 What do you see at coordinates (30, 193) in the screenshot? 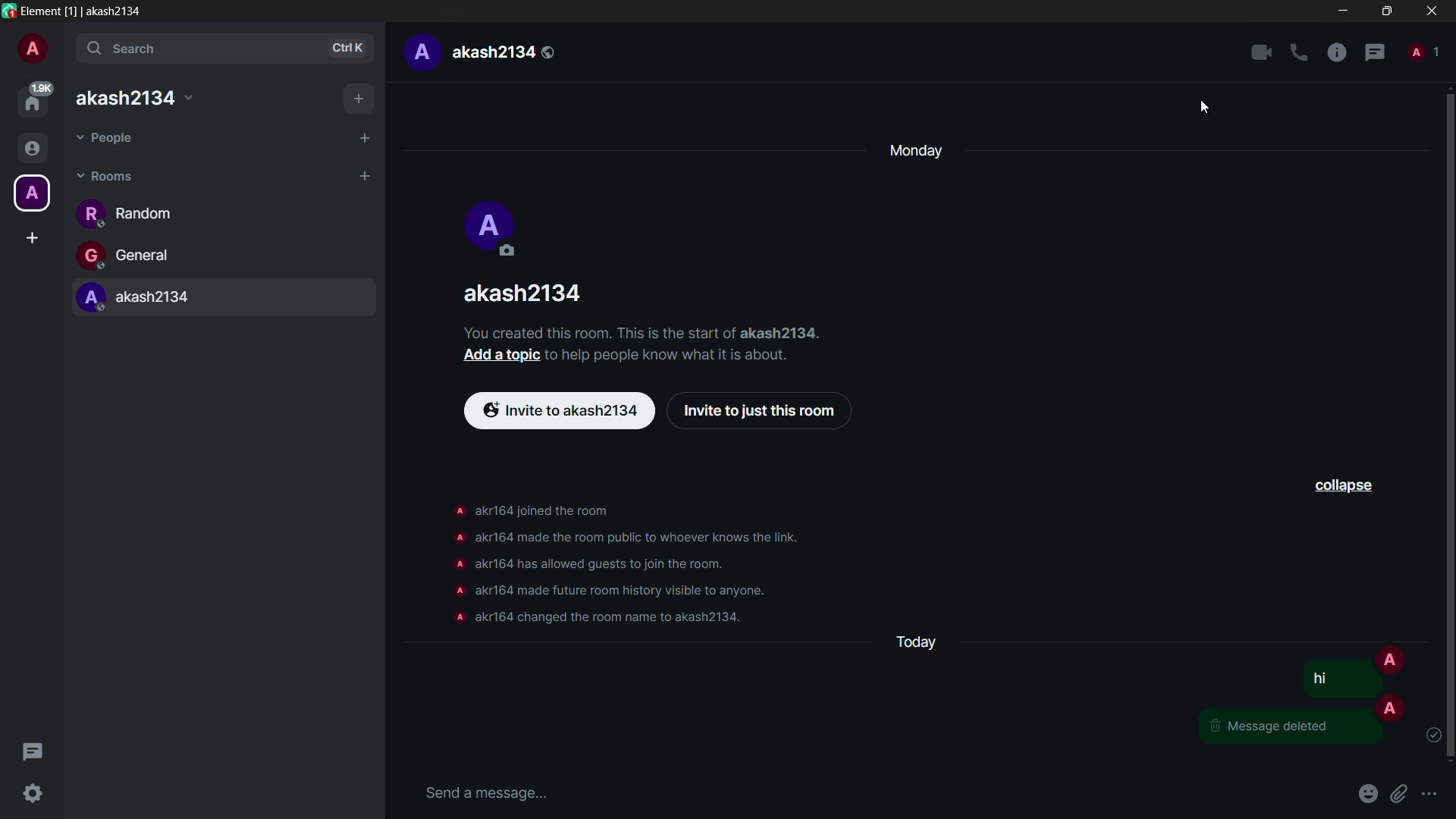
I see `profile icon` at bounding box center [30, 193].